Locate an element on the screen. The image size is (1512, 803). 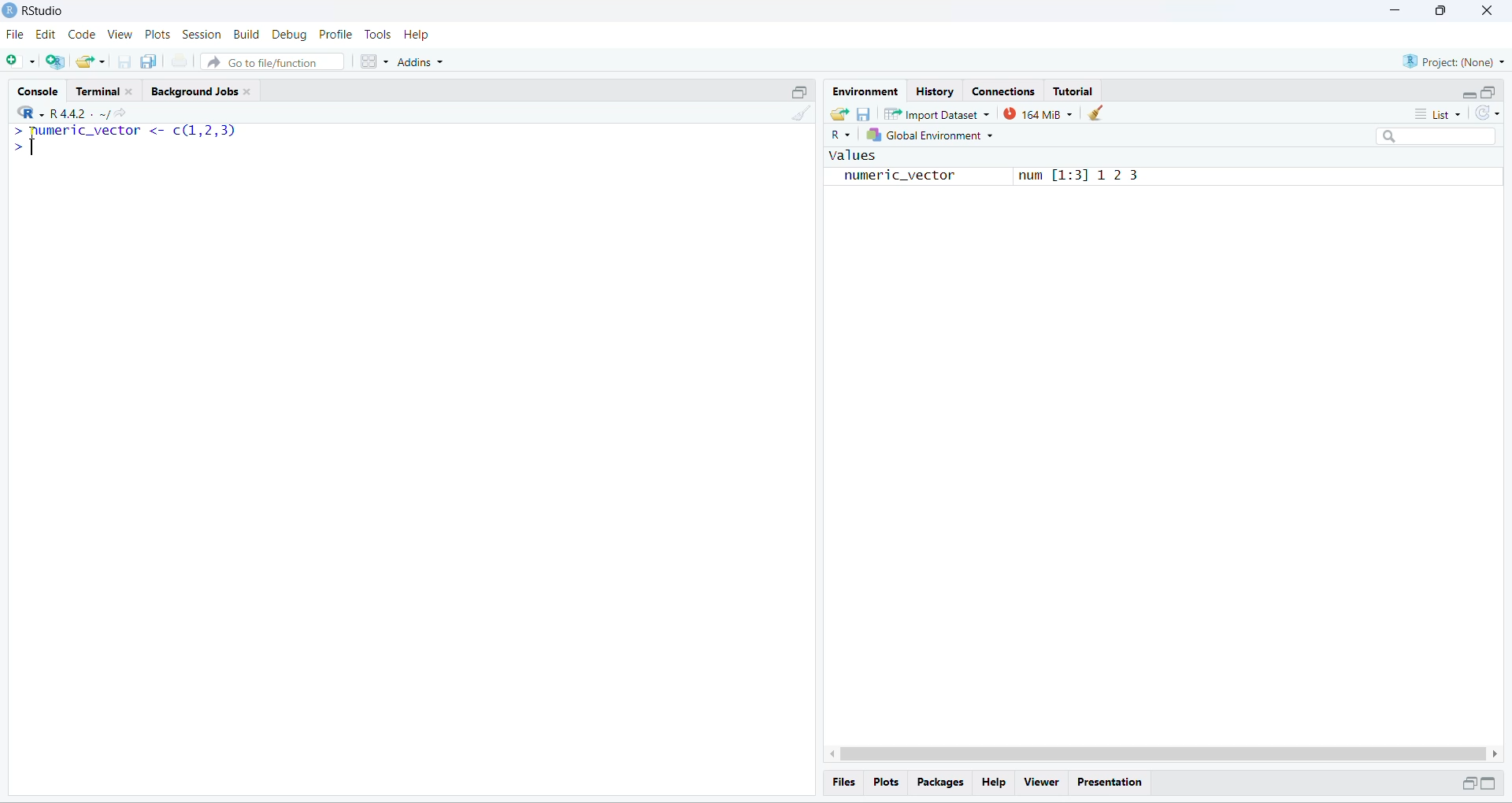
History is located at coordinates (935, 90).